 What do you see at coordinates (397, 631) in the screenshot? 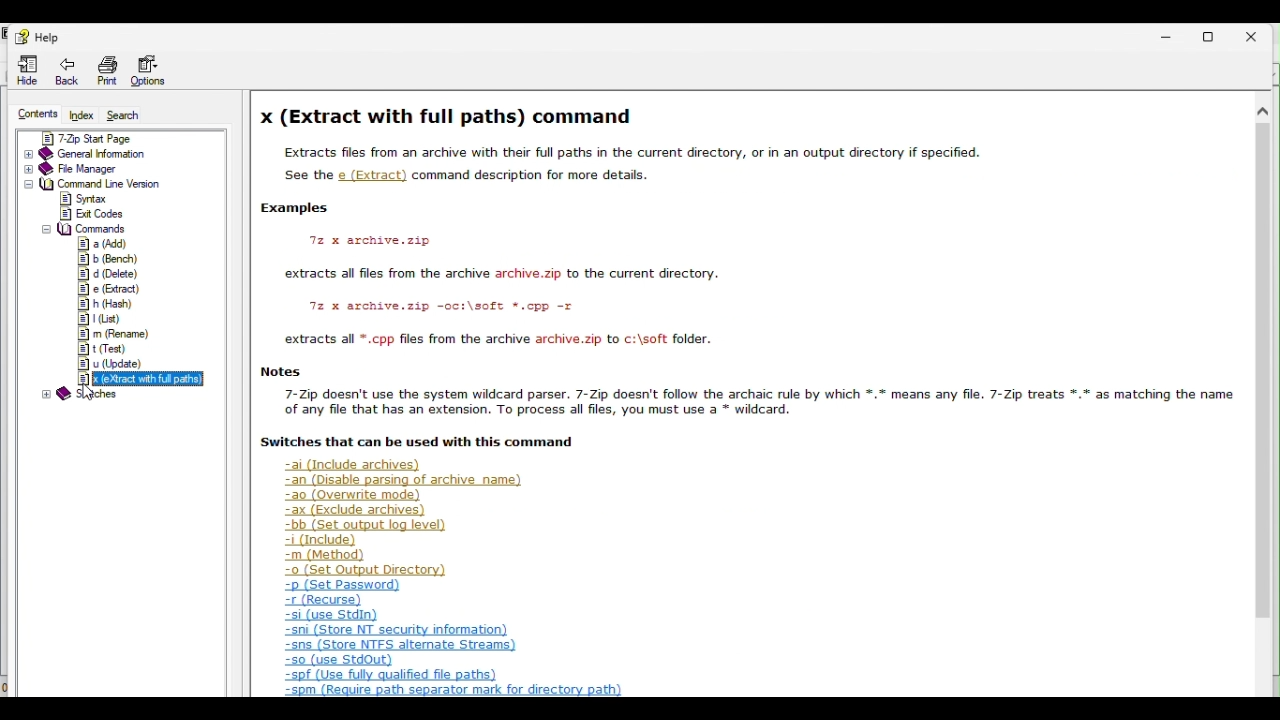
I see `-sni` at bounding box center [397, 631].